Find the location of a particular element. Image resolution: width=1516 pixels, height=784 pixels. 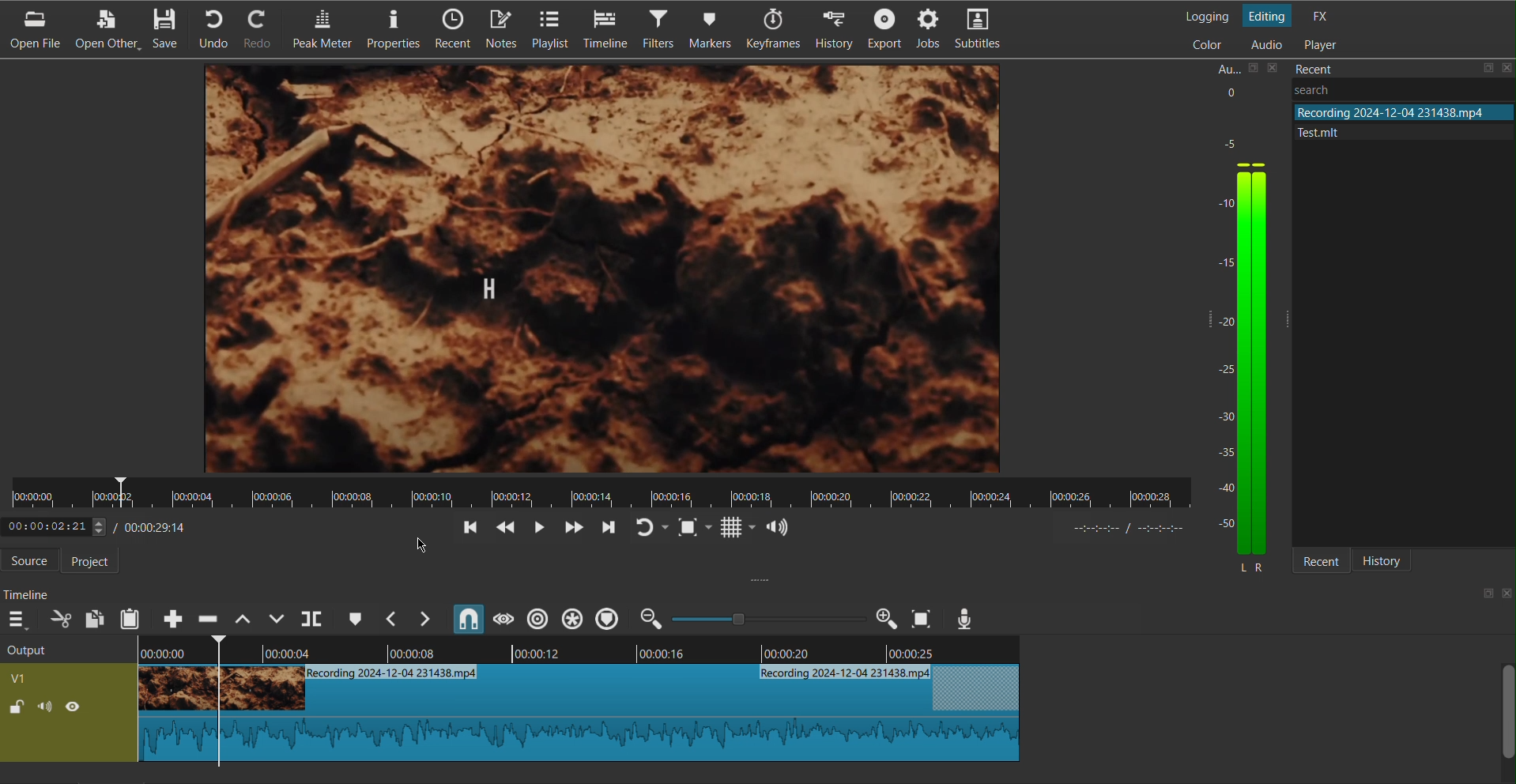

Fit to Screen is located at coordinates (692, 528).